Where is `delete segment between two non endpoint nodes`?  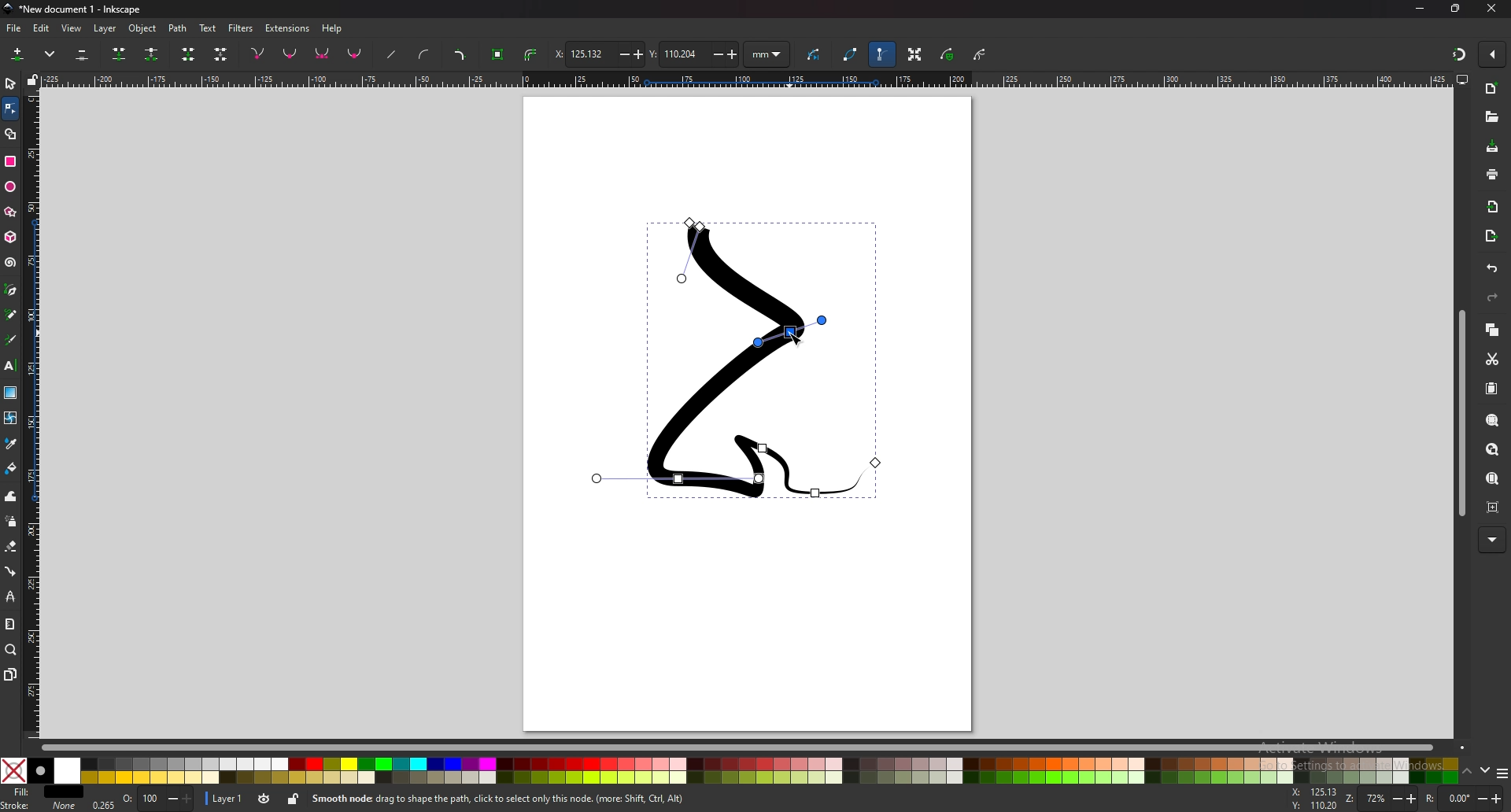 delete segment between two non endpoint nodes is located at coordinates (222, 55).